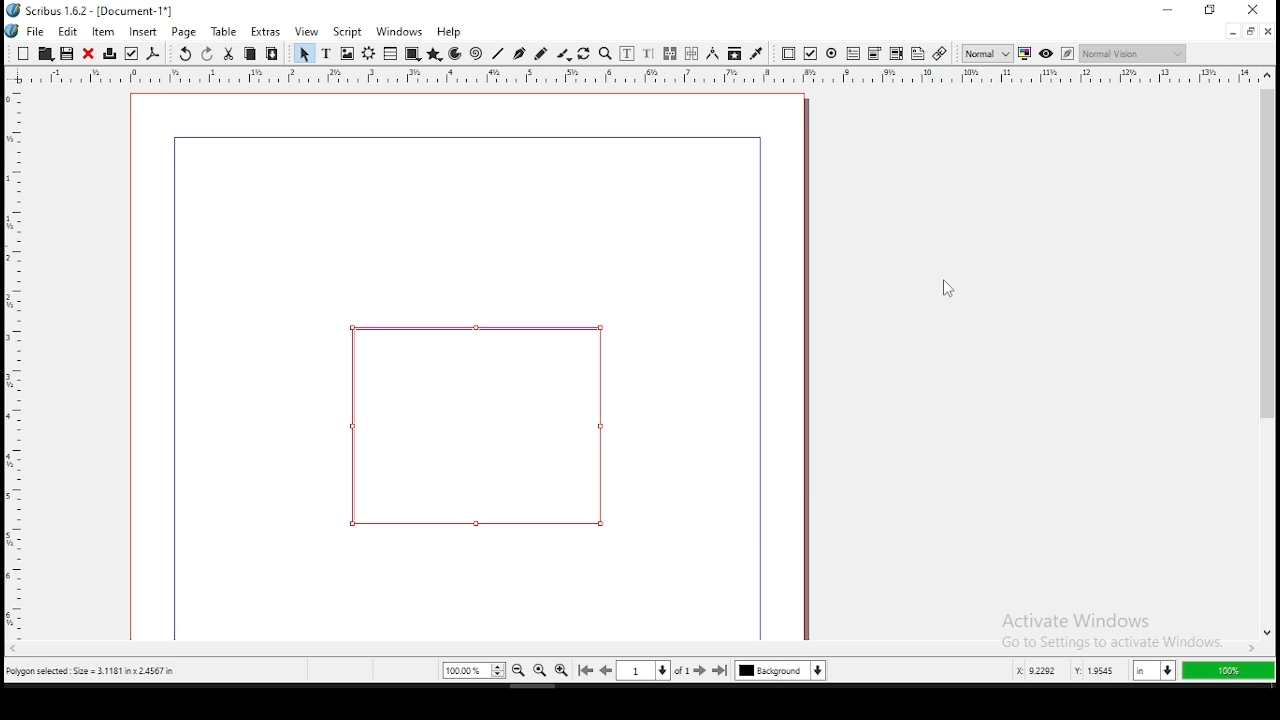 This screenshot has width=1280, height=720. What do you see at coordinates (347, 53) in the screenshot?
I see `image frame` at bounding box center [347, 53].